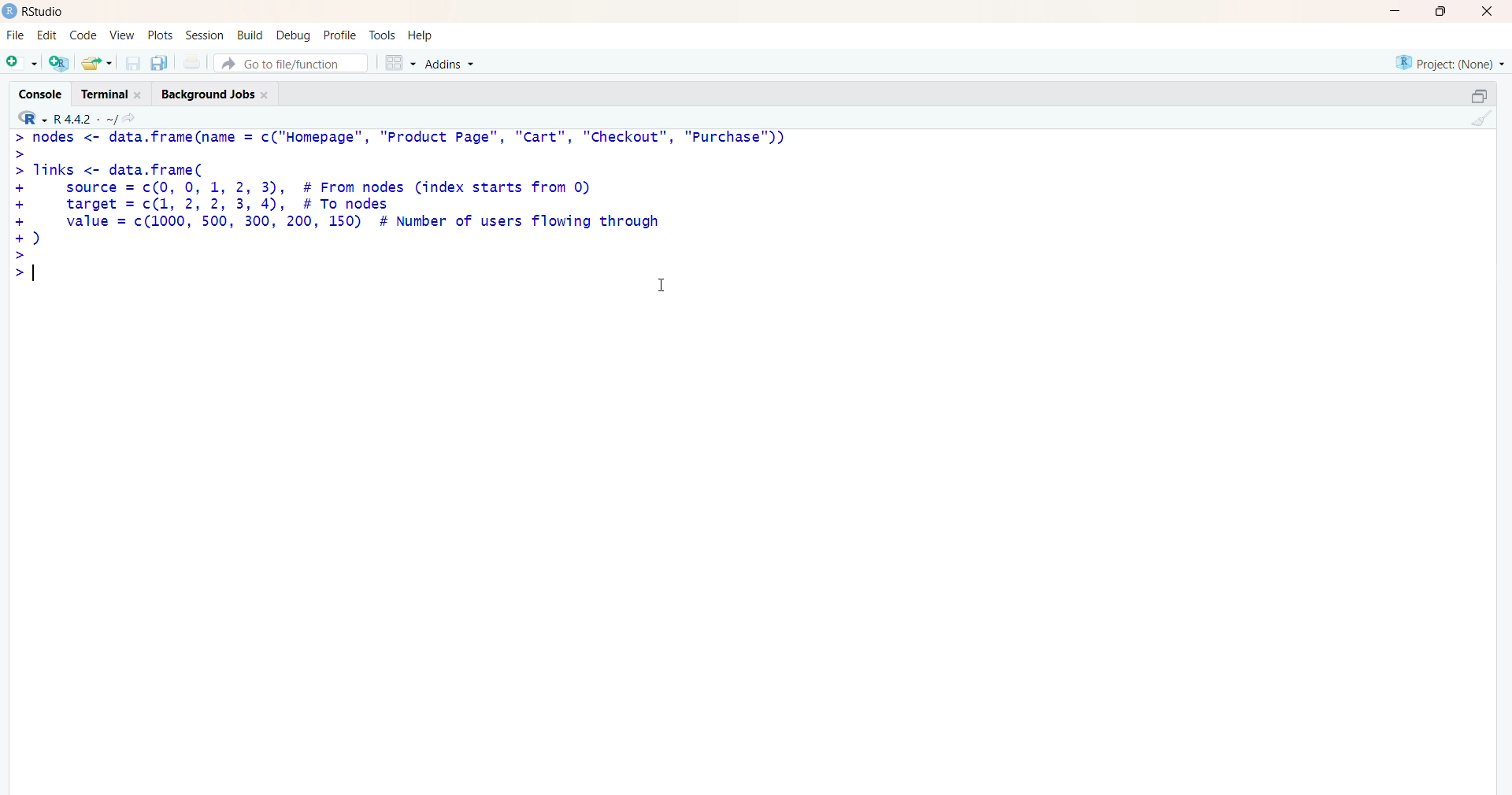  What do you see at coordinates (339, 34) in the screenshot?
I see `profile` at bounding box center [339, 34].